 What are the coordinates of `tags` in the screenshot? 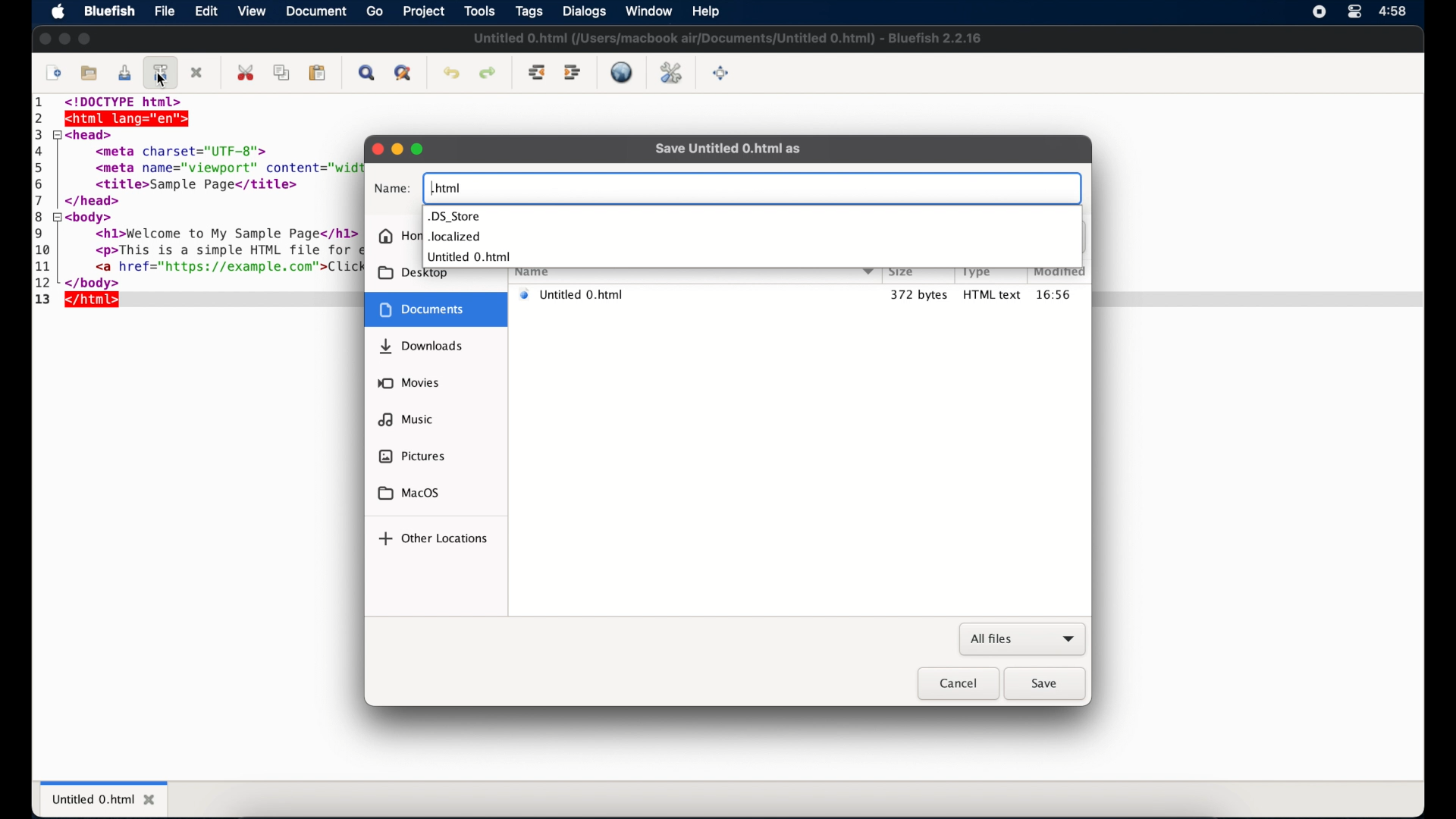 It's located at (530, 12).